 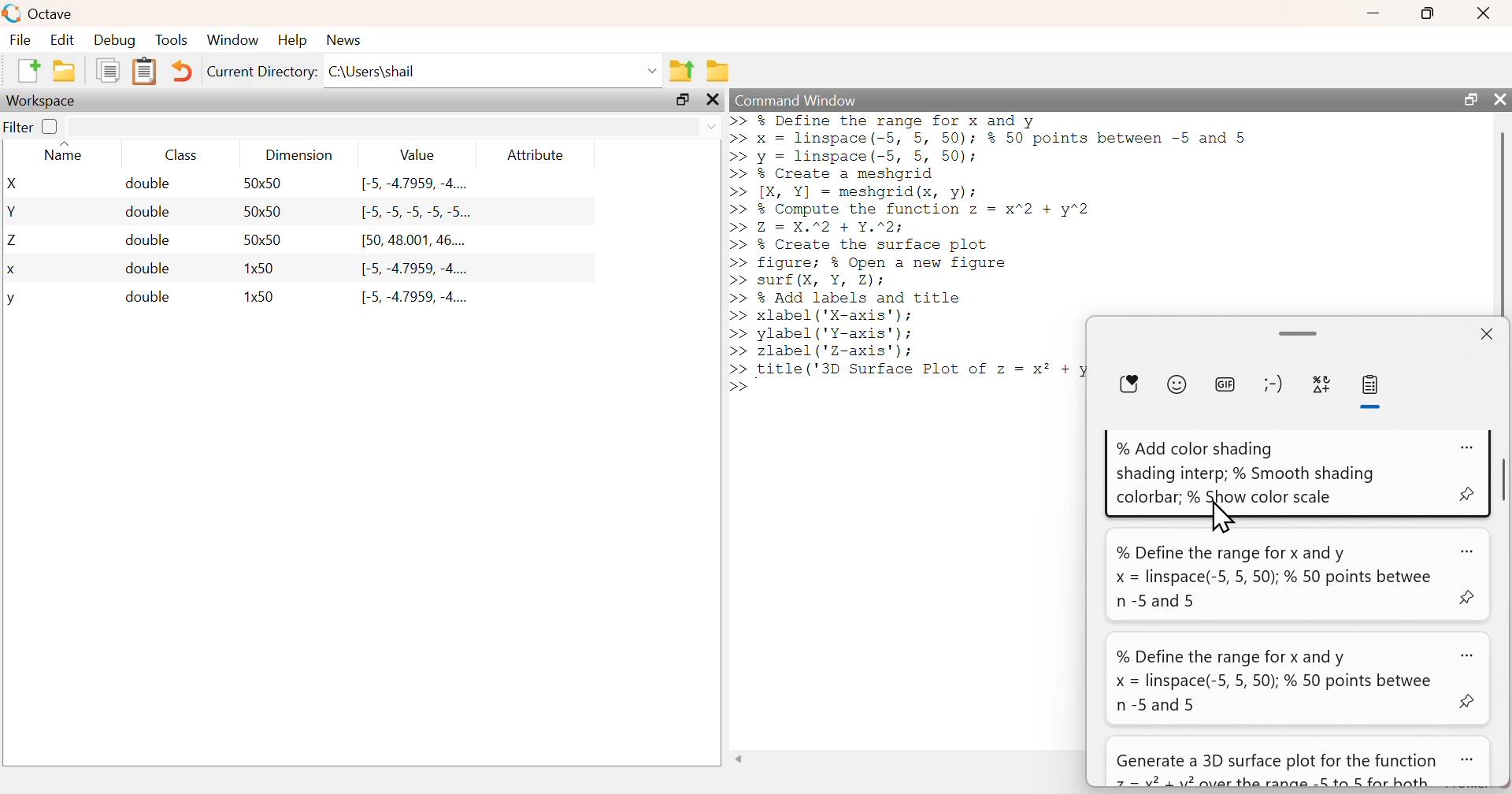 I want to click on Debug, so click(x=115, y=39).